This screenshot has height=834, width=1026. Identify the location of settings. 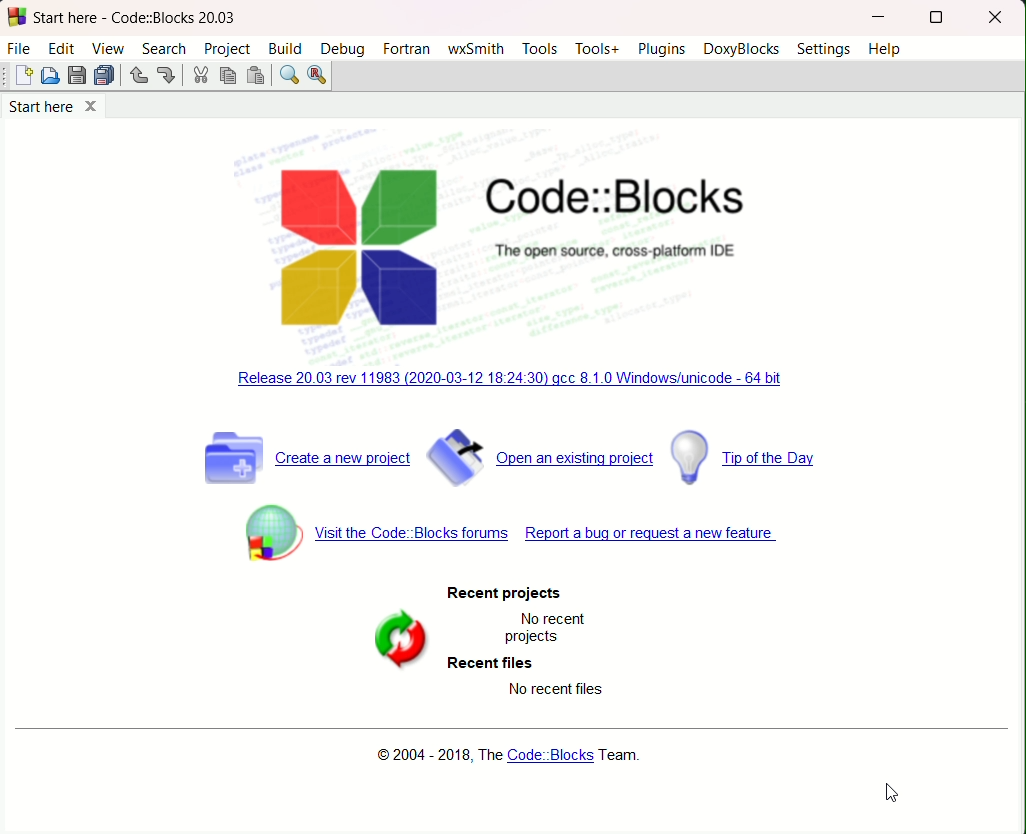
(826, 49).